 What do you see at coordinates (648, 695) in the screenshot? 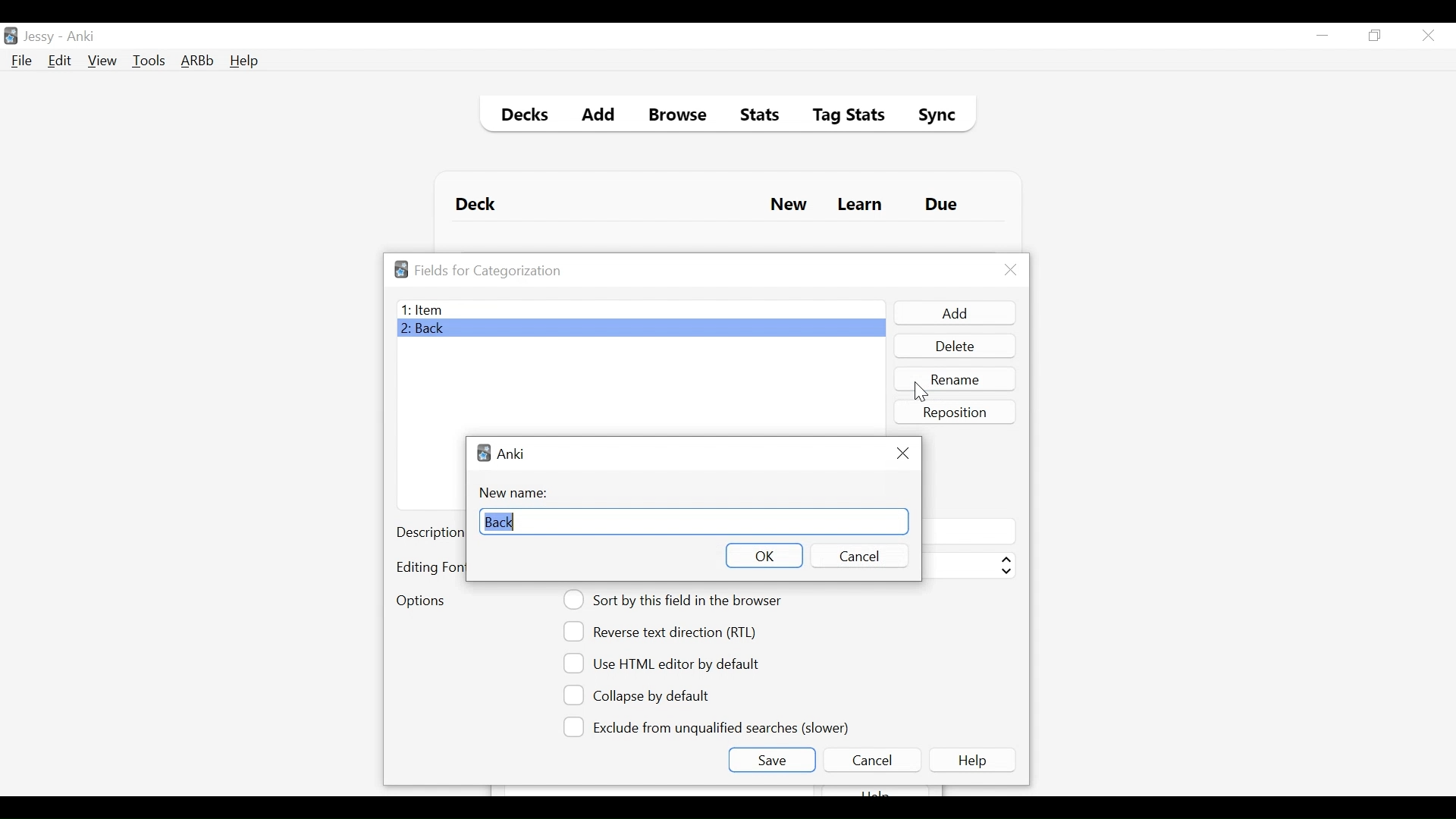
I see `(un)select Collapse by default` at bounding box center [648, 695].